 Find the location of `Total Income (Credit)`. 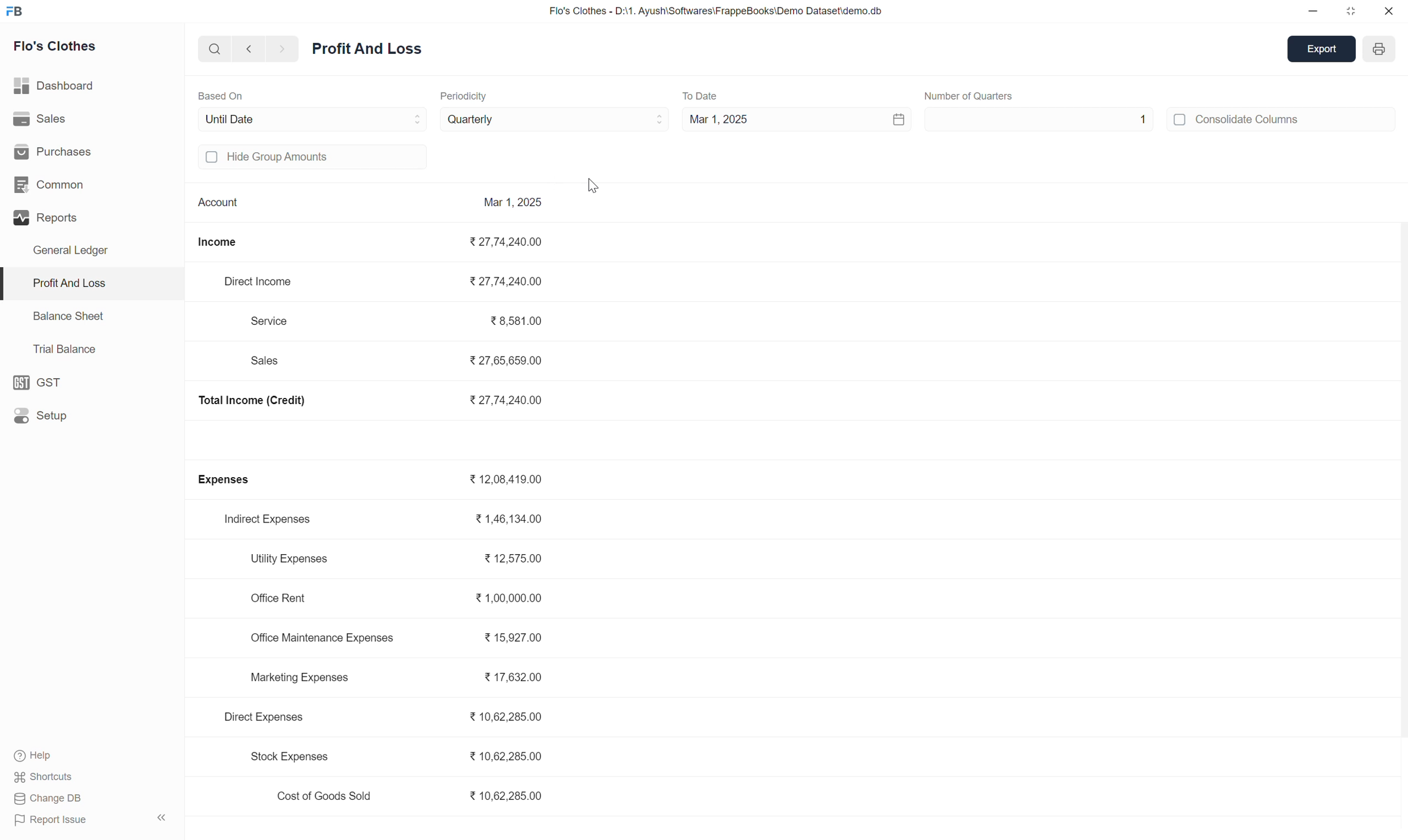

Total Income (Credit) is located at coordinates (267, 402).